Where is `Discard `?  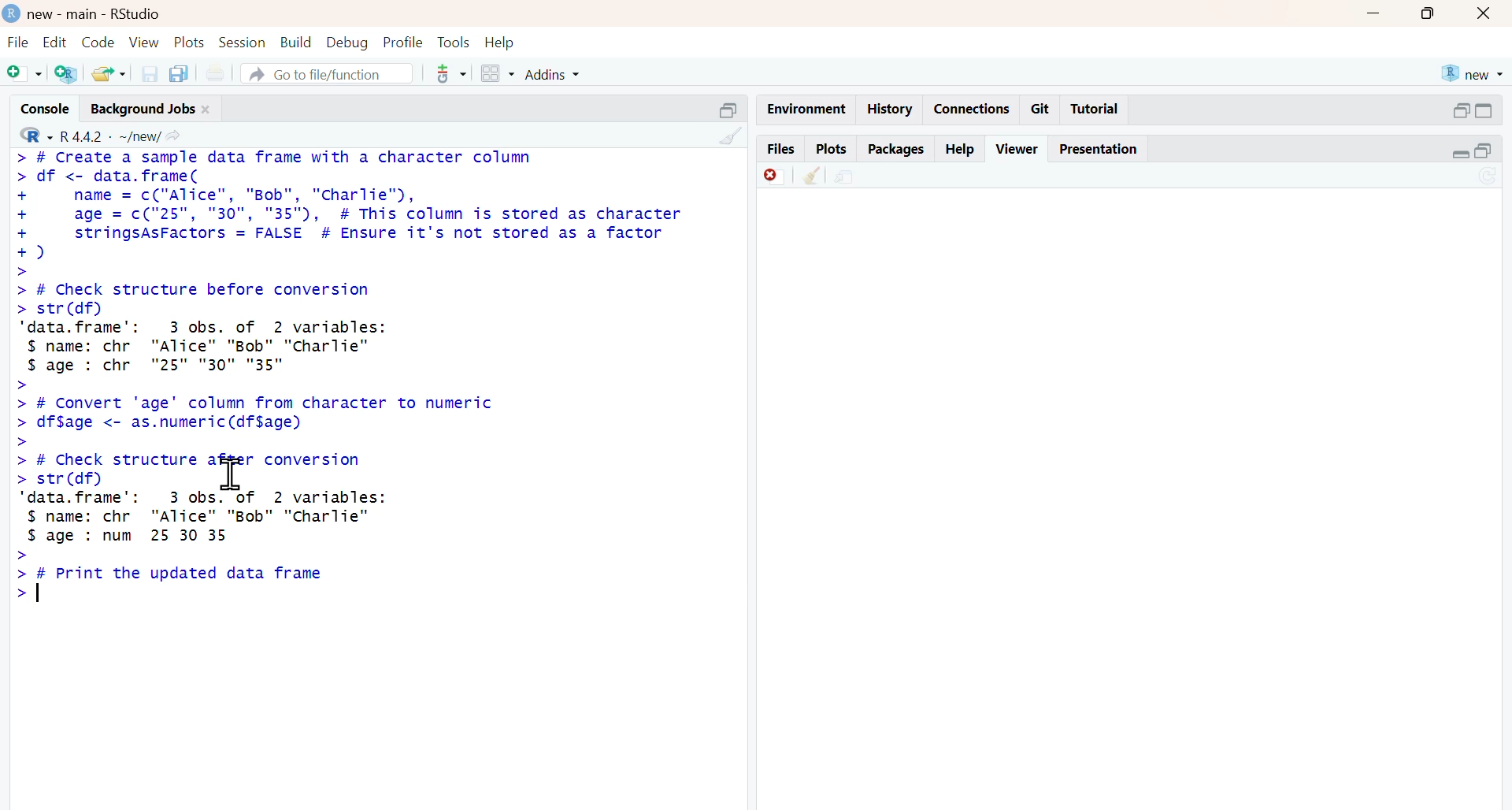
Discard  is located at coordinates (775, 176).